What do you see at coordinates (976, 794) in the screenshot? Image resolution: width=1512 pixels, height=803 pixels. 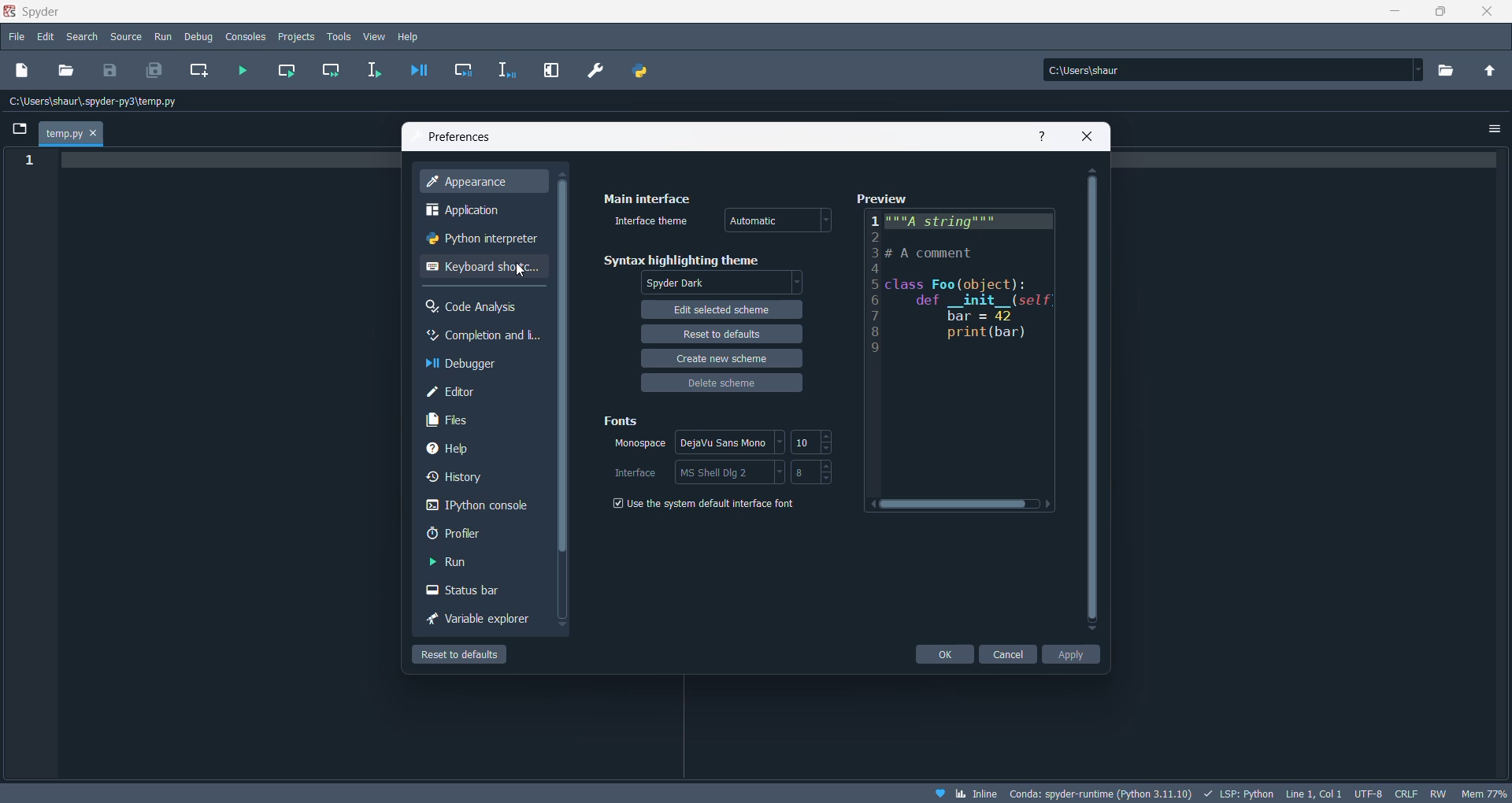 I see `inline` at bounding box center [976, 794].